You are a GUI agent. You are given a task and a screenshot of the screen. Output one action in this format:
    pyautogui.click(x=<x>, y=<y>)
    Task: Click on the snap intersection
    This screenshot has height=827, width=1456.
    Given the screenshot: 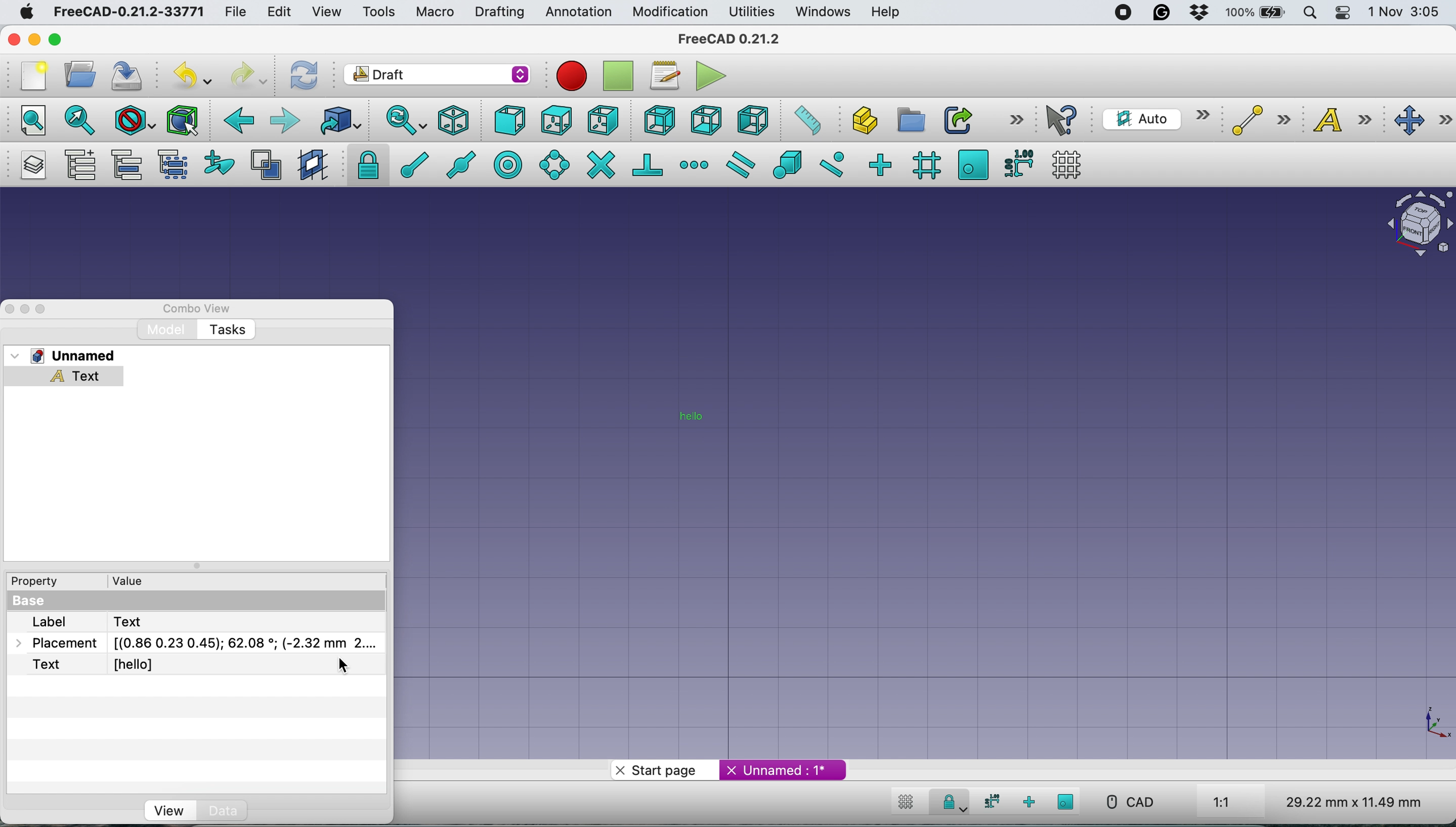 What is the action you would take?
    pyautogui.click(x=600, y=166)
    